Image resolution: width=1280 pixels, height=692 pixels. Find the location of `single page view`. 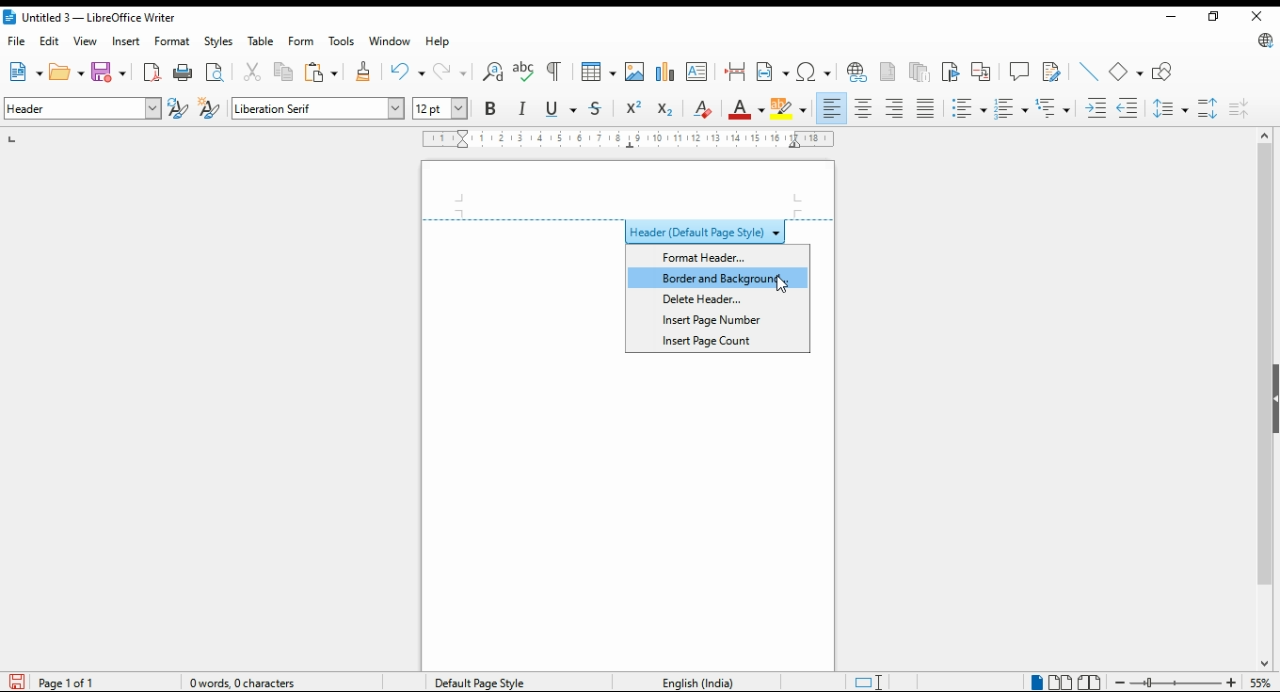

single page view is located at coordinates (1036, 681).